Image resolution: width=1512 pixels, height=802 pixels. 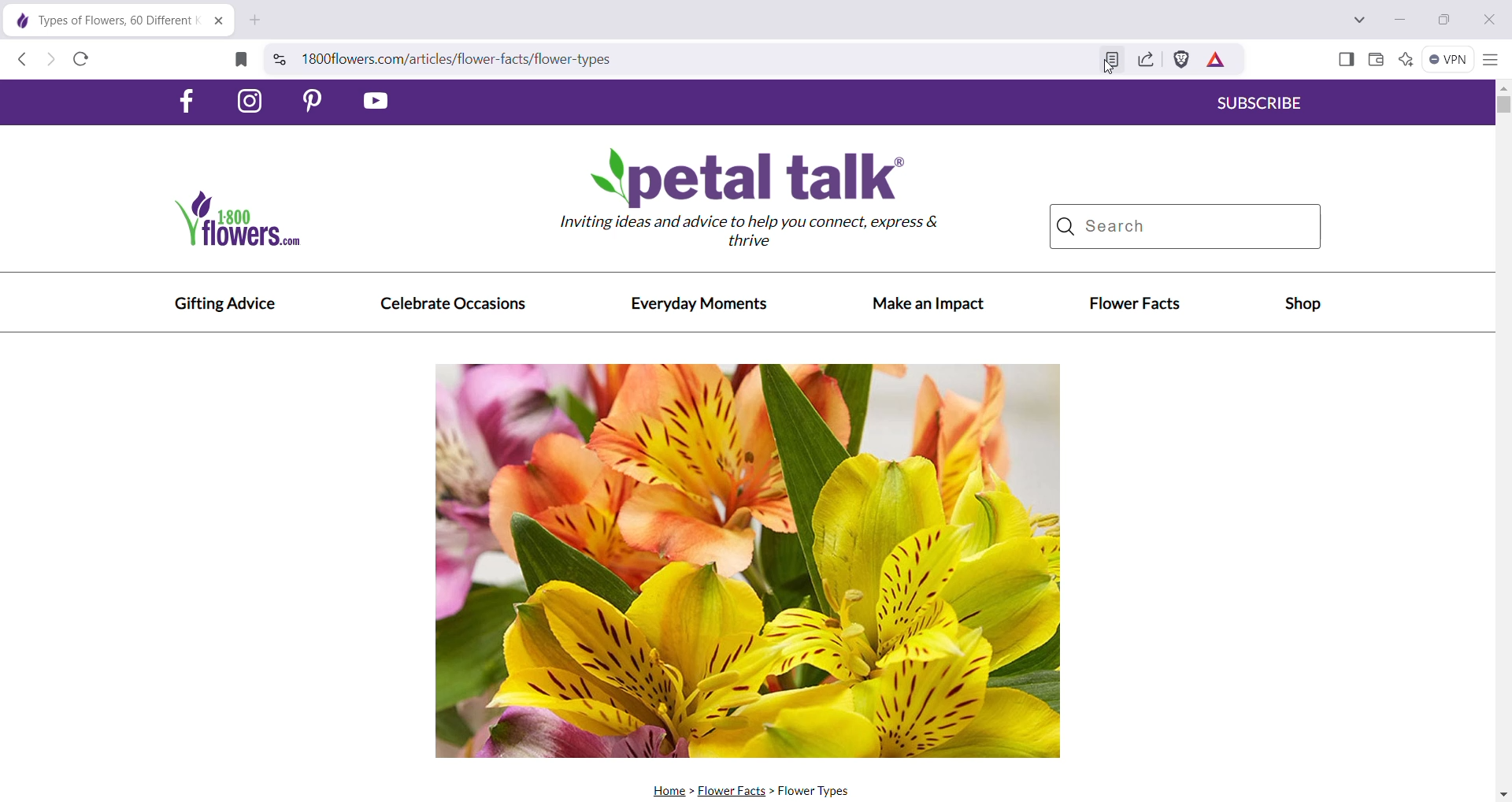 I want to click on Gifting Advice, so click(x=224, y=304).